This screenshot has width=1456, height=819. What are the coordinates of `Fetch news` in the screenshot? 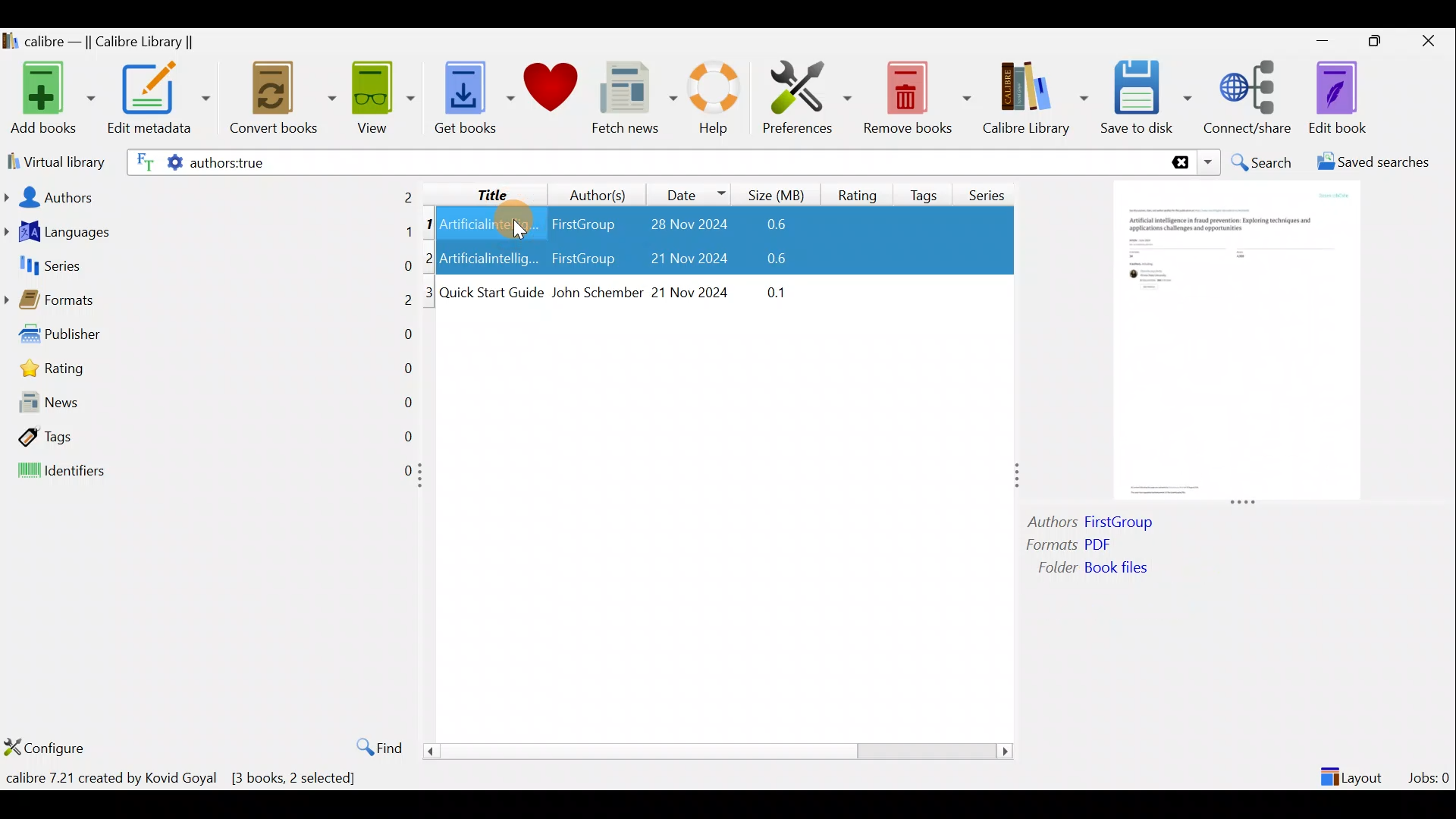 It's located at (631, 102).